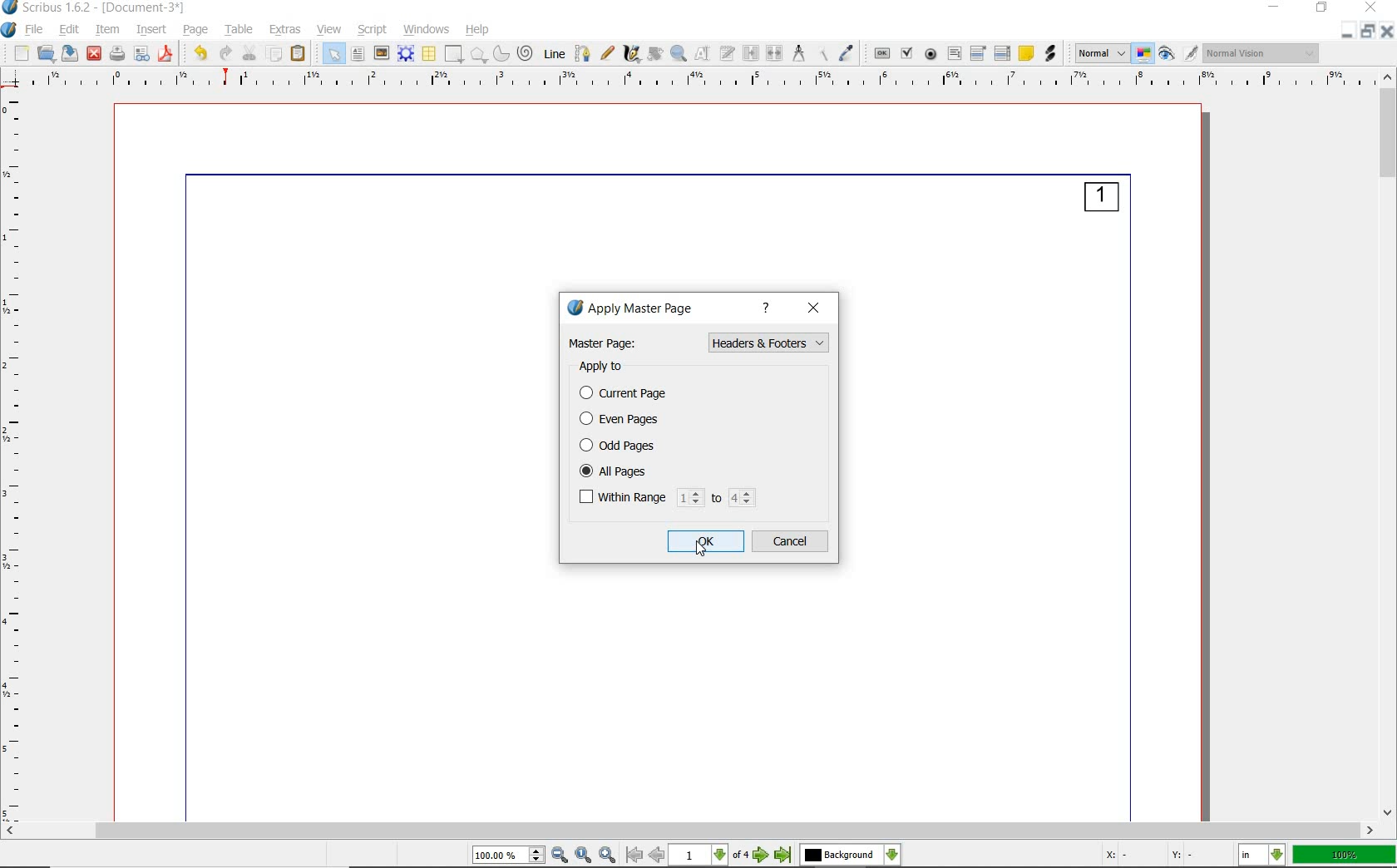 This screenshot has height=868, width=1397. What do you see at coordinates (371, 31) in the screenshot?
I see `script` at bounding box center [371, 31].